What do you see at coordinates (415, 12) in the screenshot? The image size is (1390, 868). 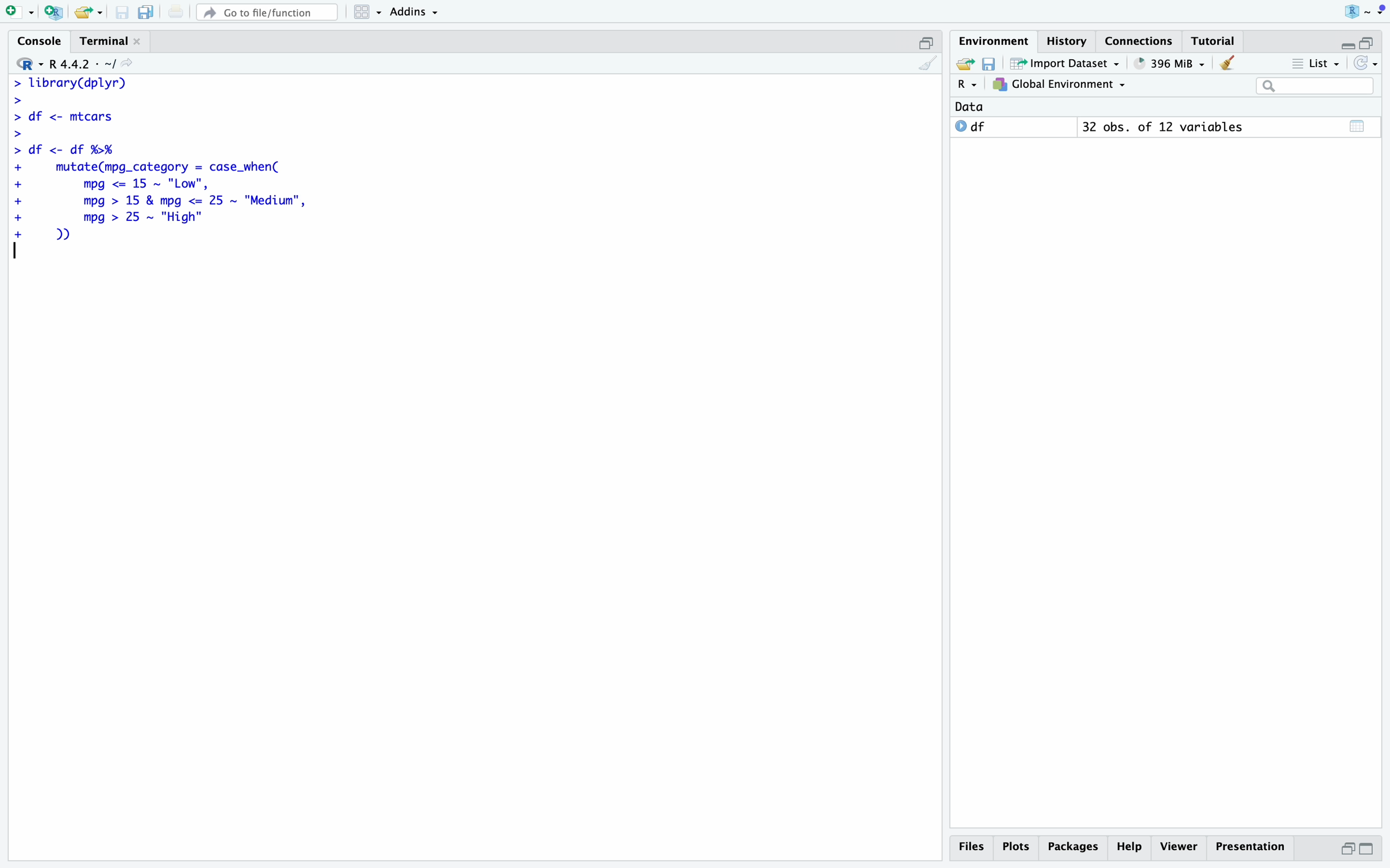 I see `Addins` at bounding box center [415, 12].